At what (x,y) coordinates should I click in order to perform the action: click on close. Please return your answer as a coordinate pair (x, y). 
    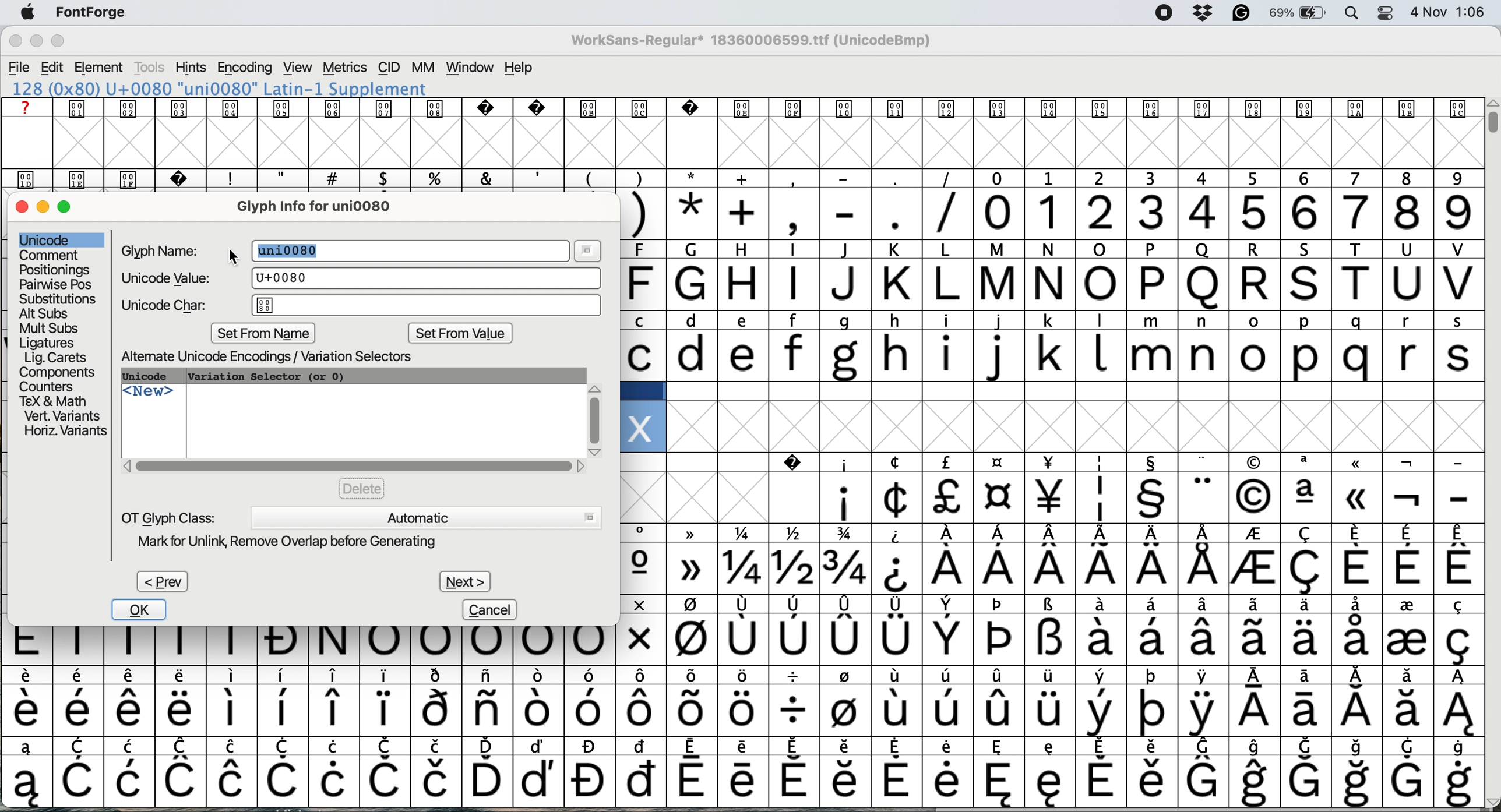
    Looking at the image, I should click on (22, 208).